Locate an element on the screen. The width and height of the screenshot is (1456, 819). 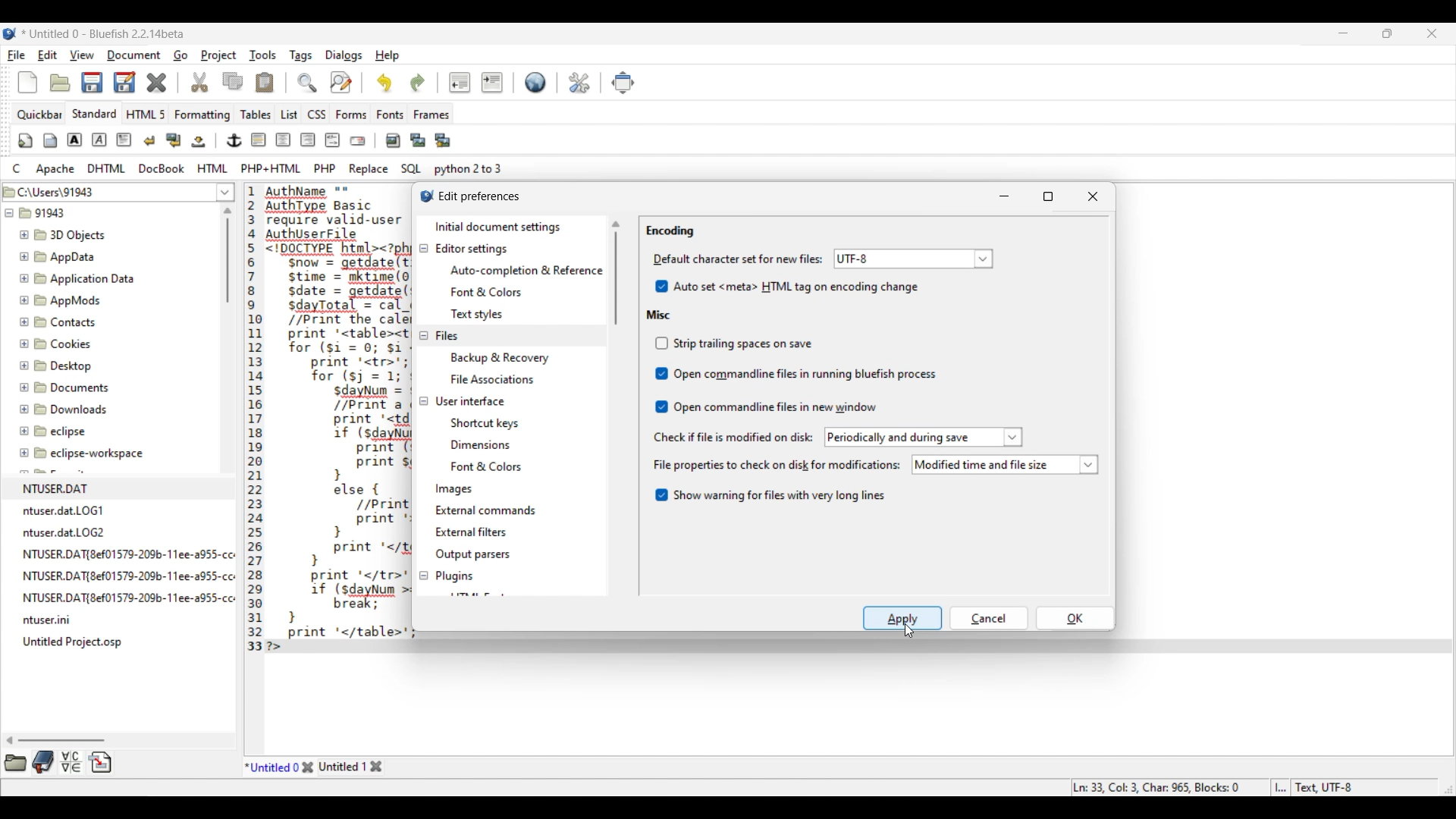
File menu is located at coordinates (17, 55).